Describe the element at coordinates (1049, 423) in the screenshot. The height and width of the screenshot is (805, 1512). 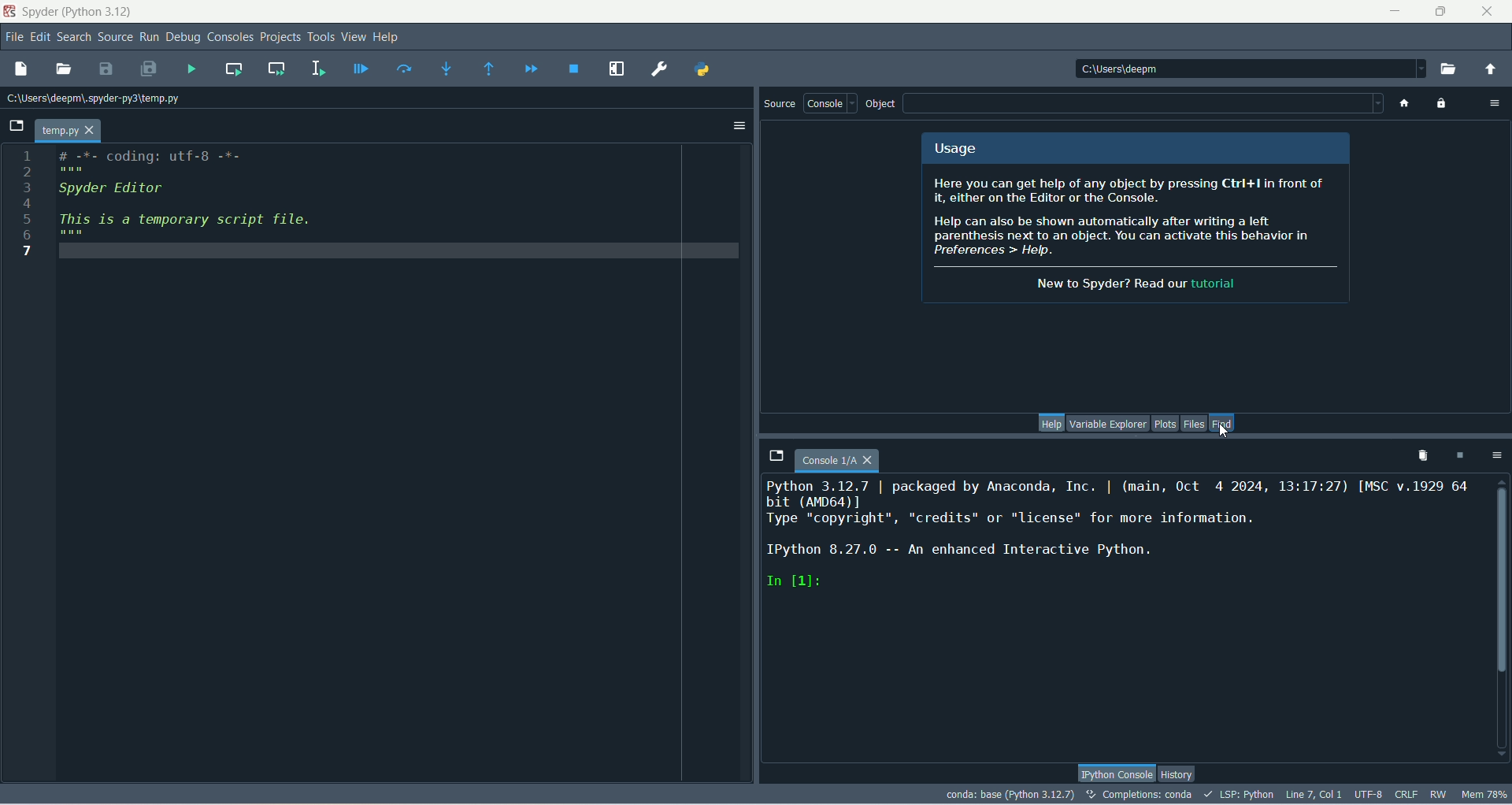
I see `help` at that location.